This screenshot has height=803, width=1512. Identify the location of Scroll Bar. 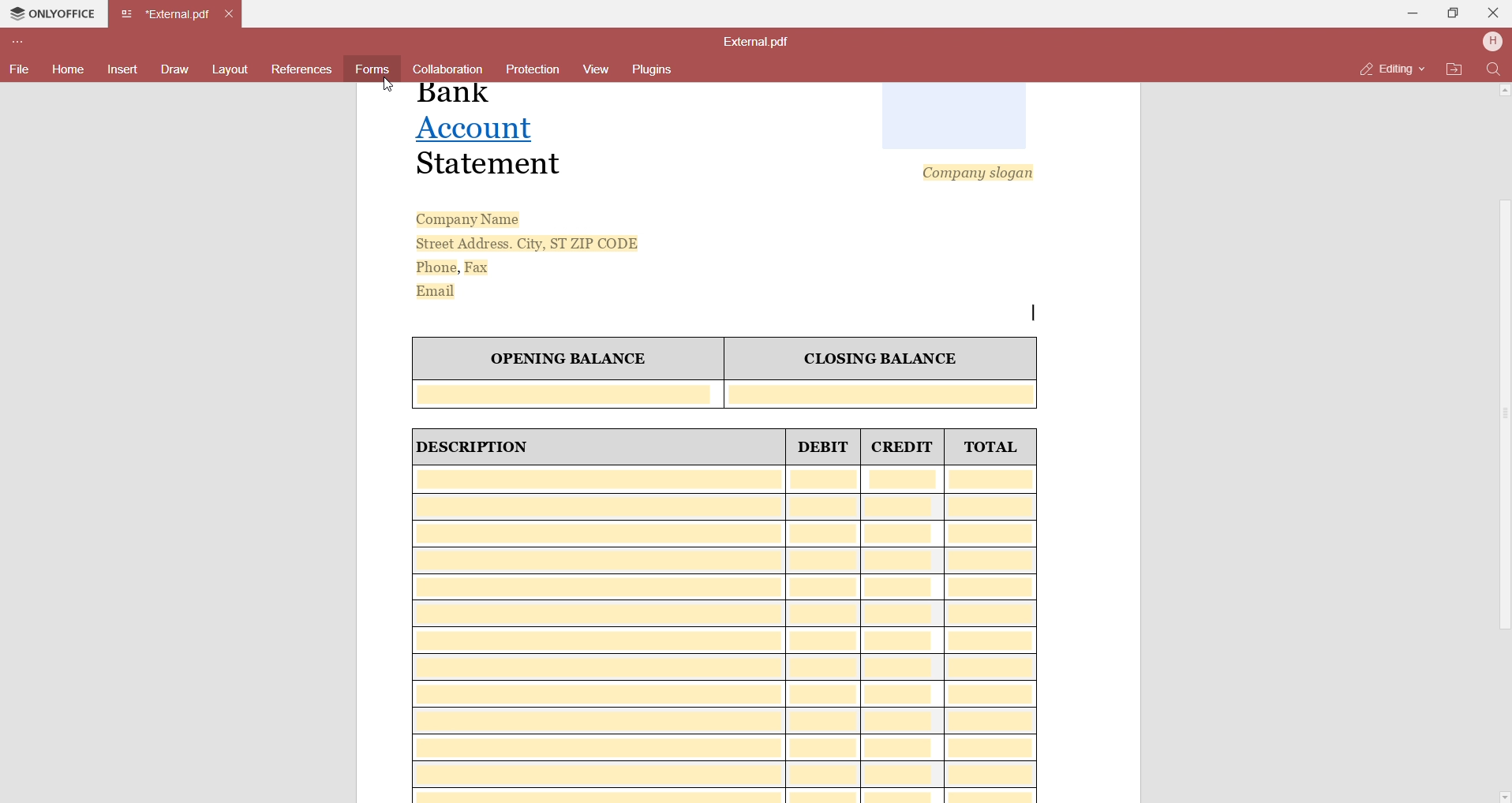
(1500, 425).